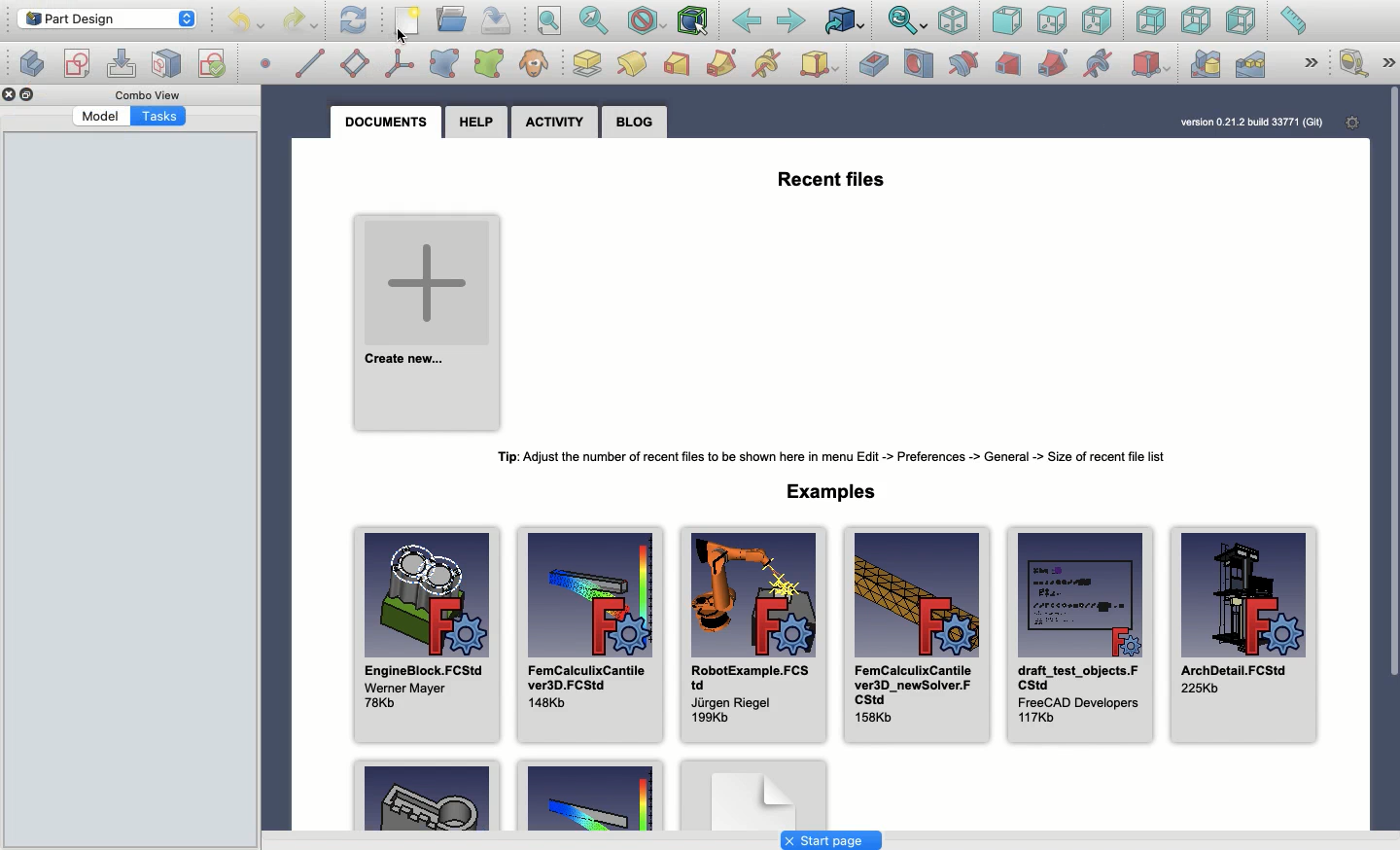 This screenshot has height=850, width=1400. Describe the element at coordinates (677, 65) in the screenshot. I see `Additive loft` at that location.